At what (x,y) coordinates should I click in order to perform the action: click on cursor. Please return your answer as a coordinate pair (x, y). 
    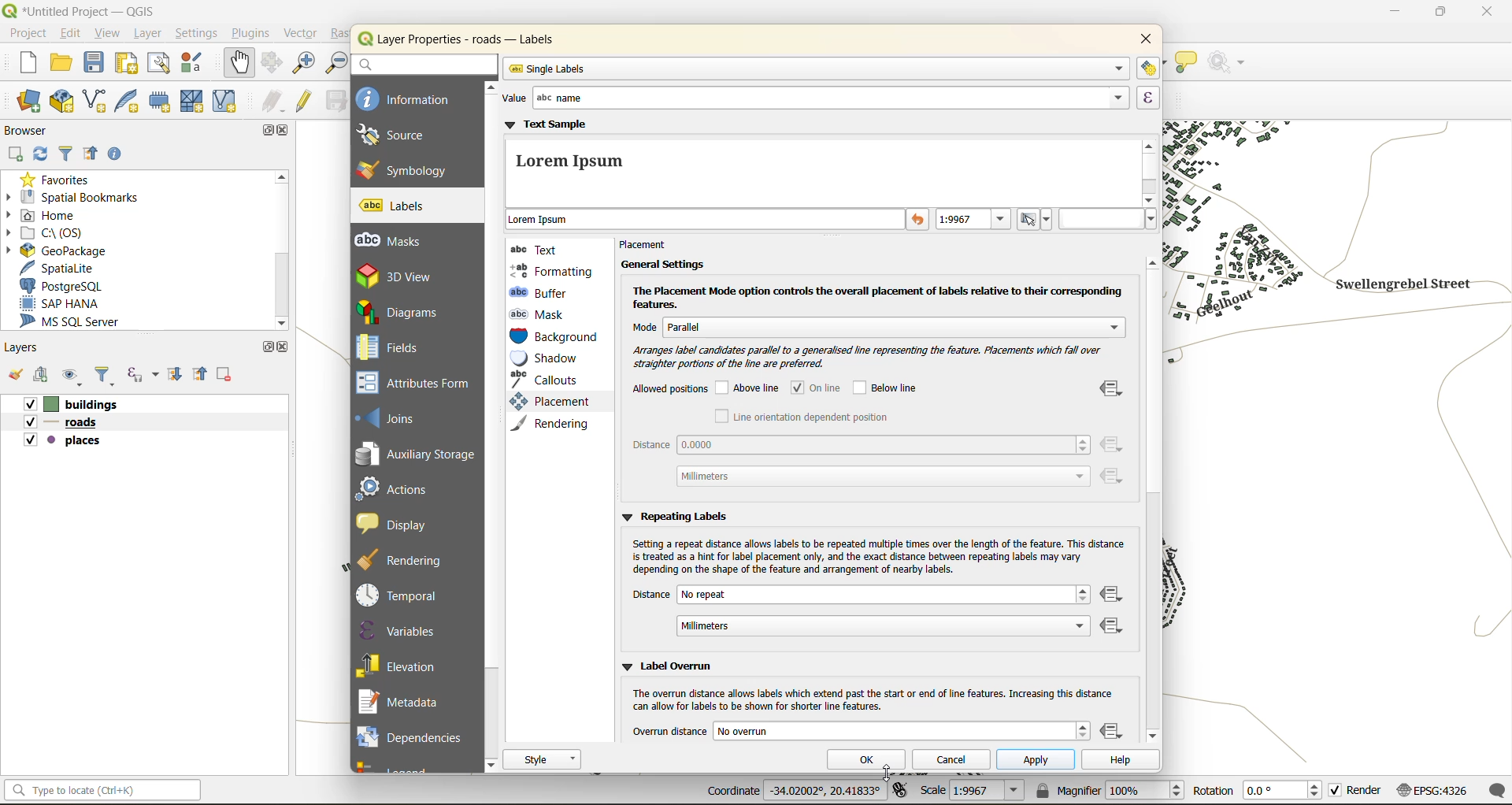
    Looking at the image, I should click on (891, 773).